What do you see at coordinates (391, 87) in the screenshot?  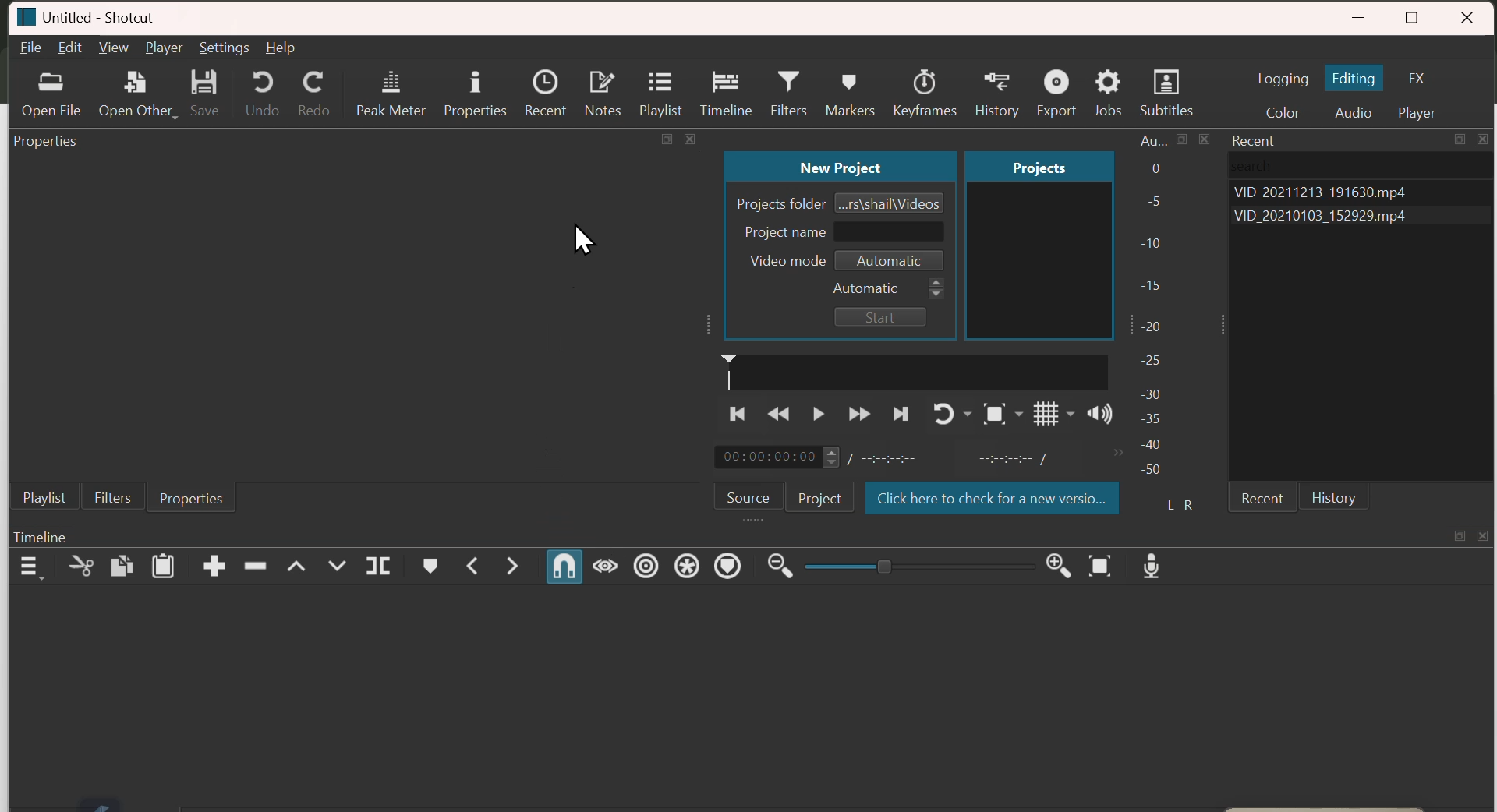 I see `Peak metre` at bounding box center [391, 87].